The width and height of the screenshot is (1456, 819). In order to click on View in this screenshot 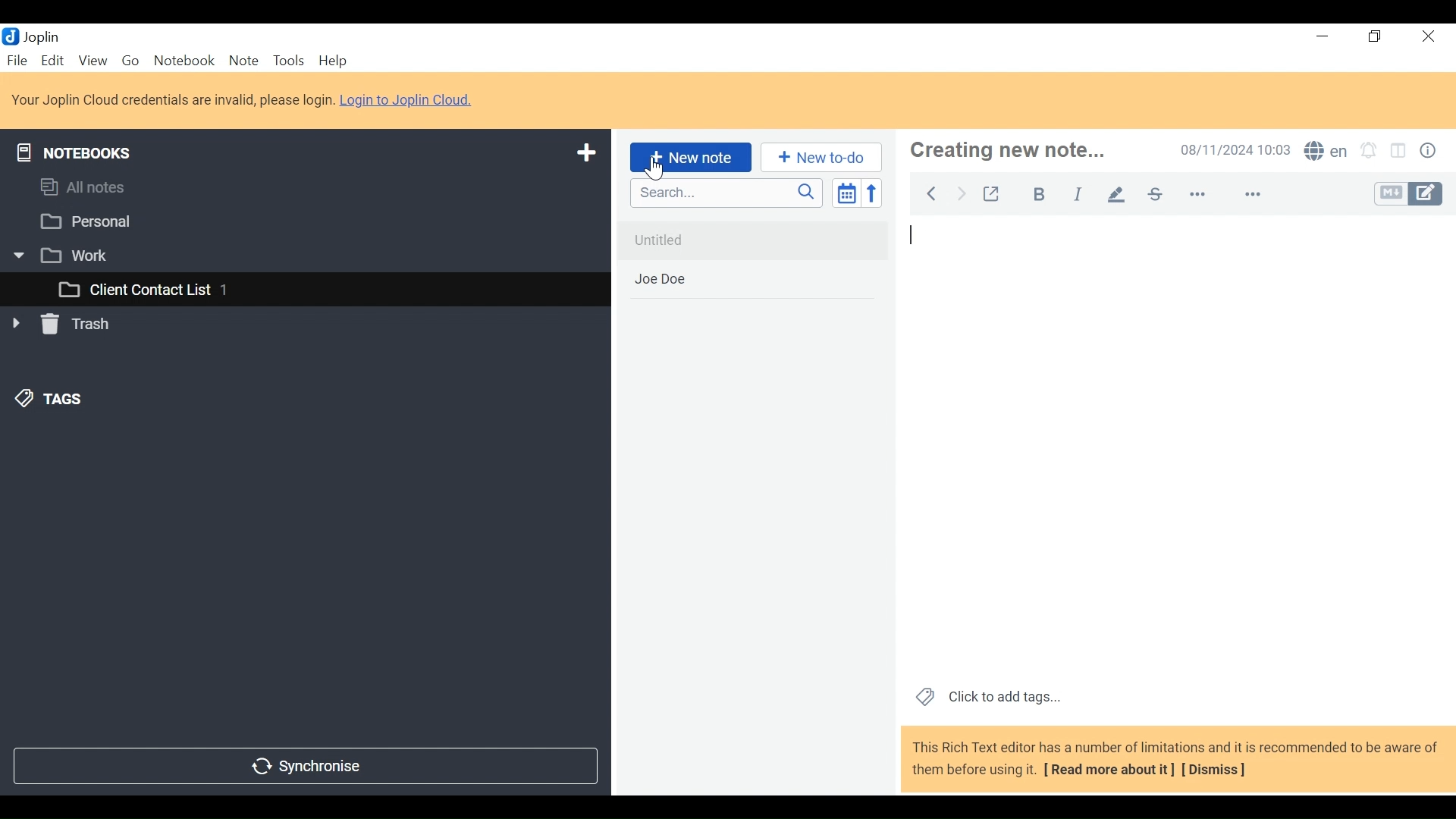, I will do `click(93, 61)`.